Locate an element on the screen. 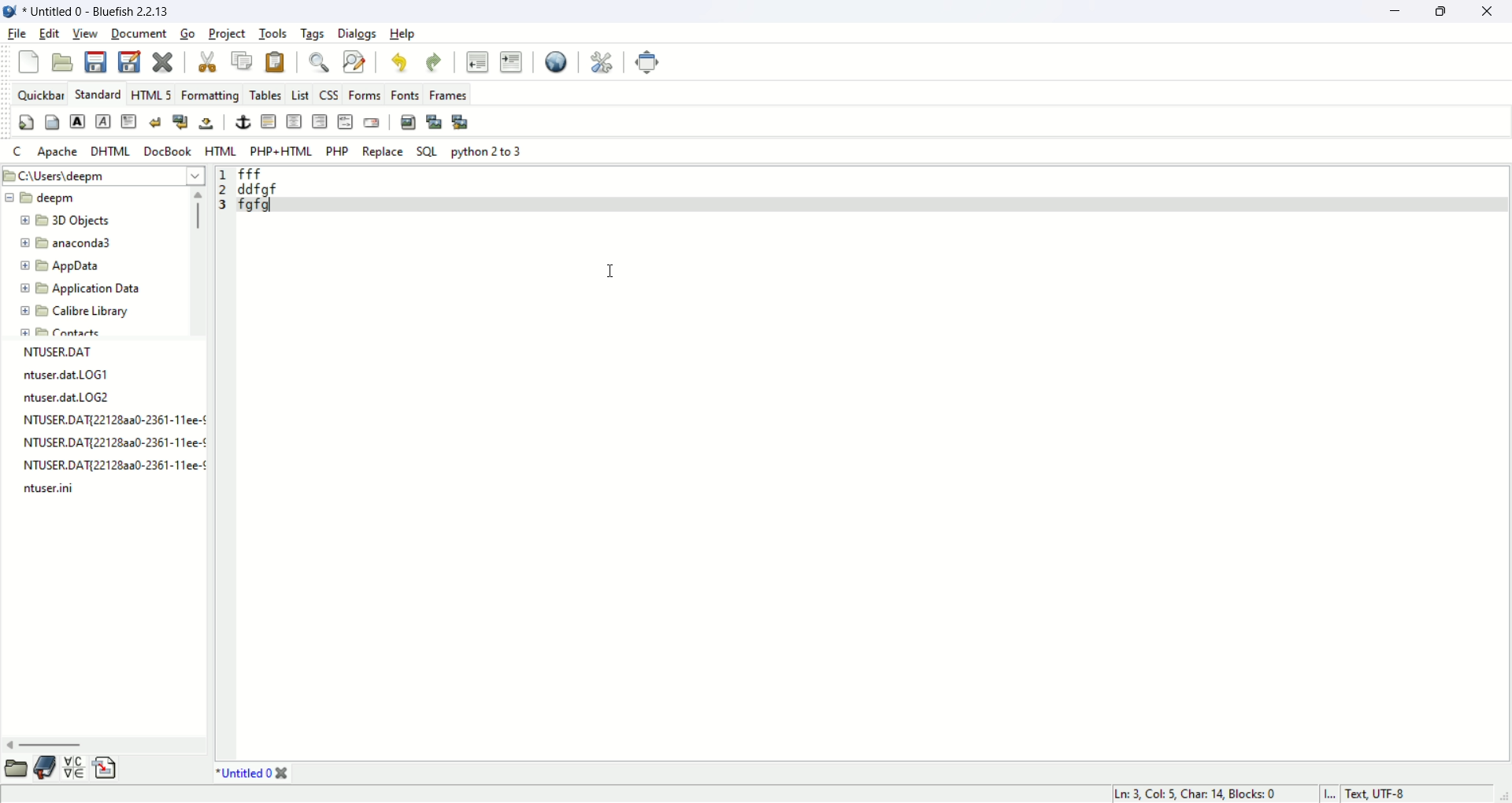 The height and width of the screenshot is (803, 1512). CSS is located at coordinates (327, 94).